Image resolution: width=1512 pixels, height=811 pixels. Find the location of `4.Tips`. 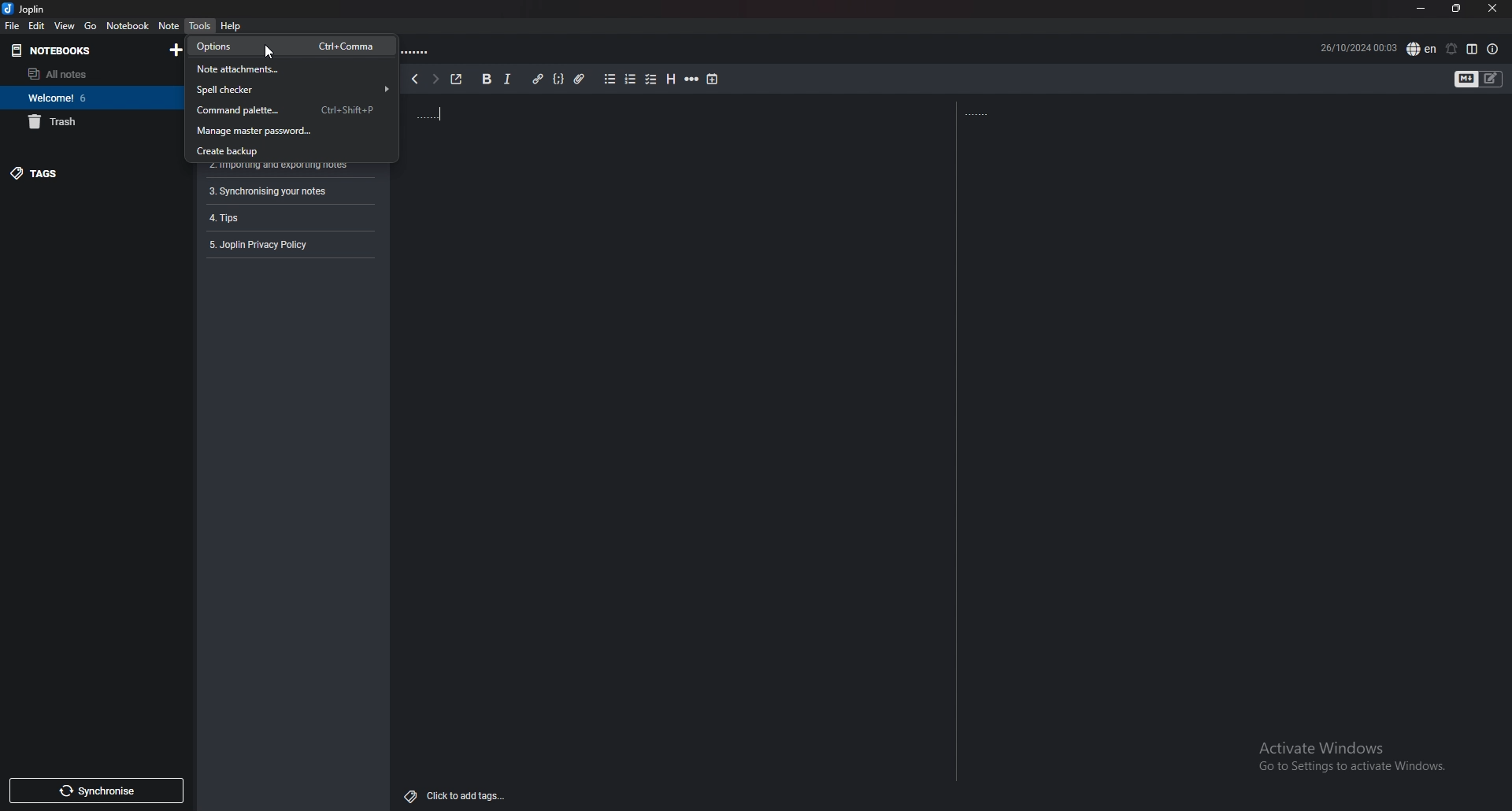

4.Tips is located at coordinates (237, 217).